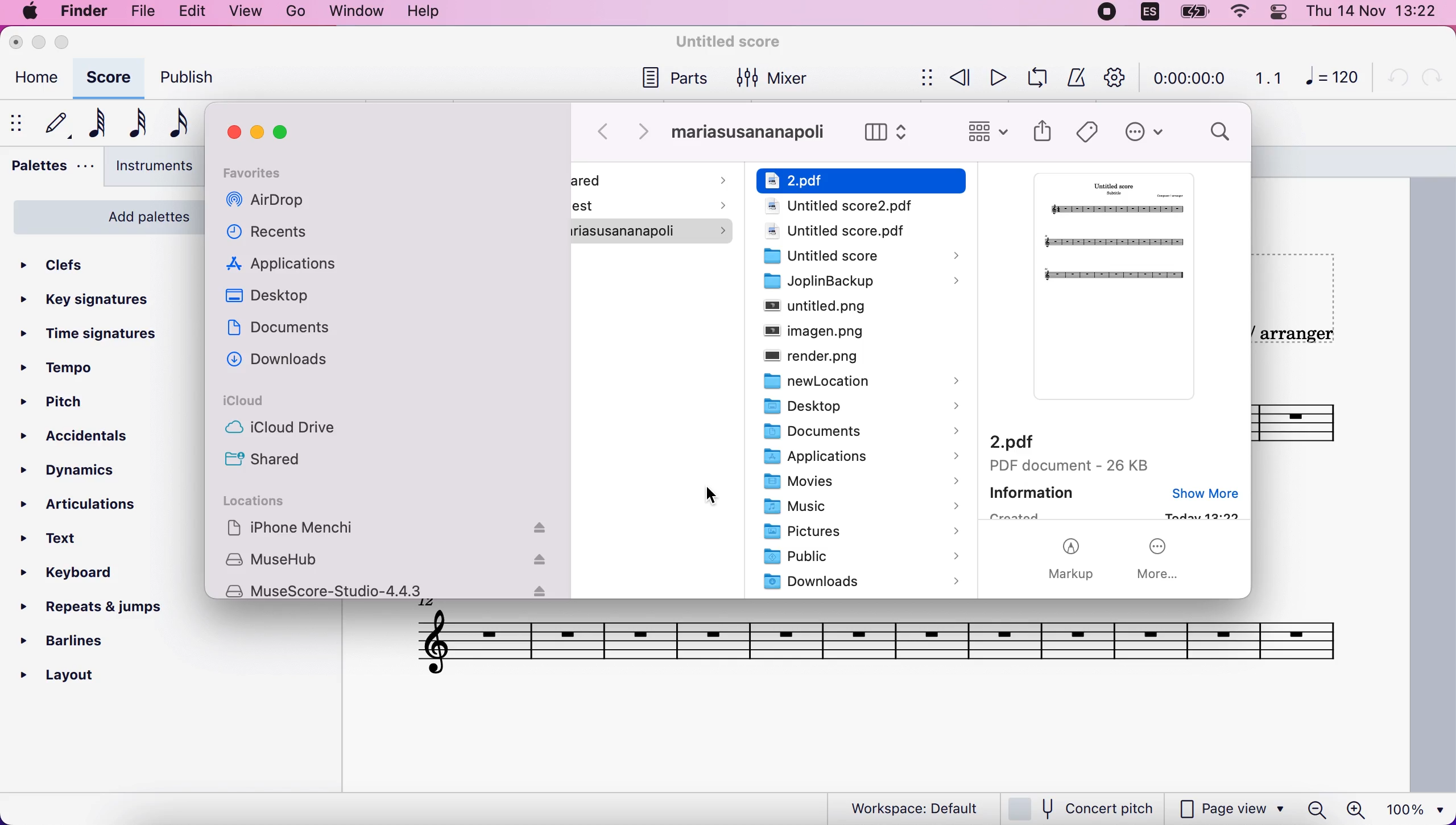  I want to click on score, so click(108, 79).